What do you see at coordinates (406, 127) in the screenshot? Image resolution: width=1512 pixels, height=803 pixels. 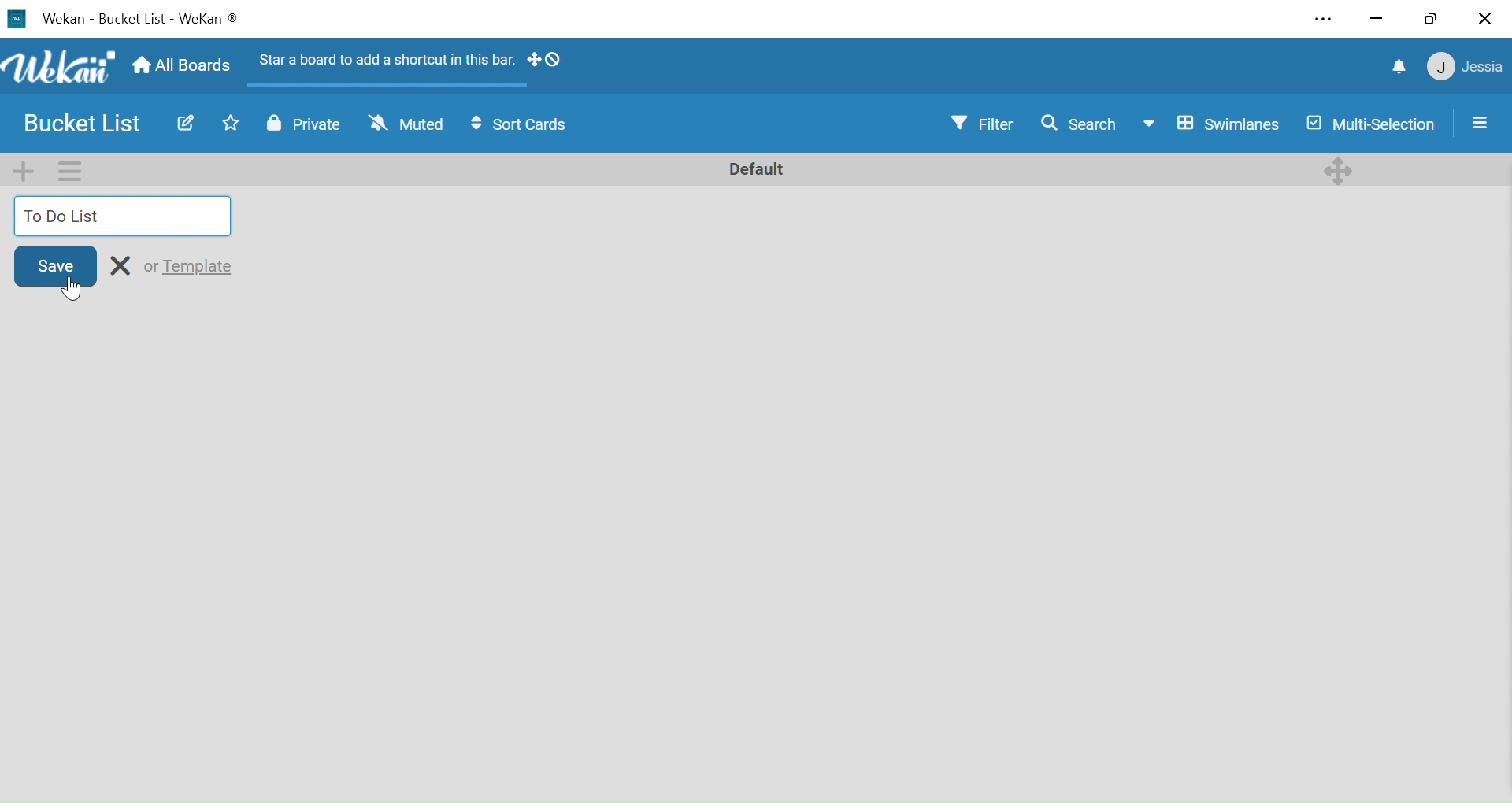 I see `(un)mute` at bounding box center [406, 127].